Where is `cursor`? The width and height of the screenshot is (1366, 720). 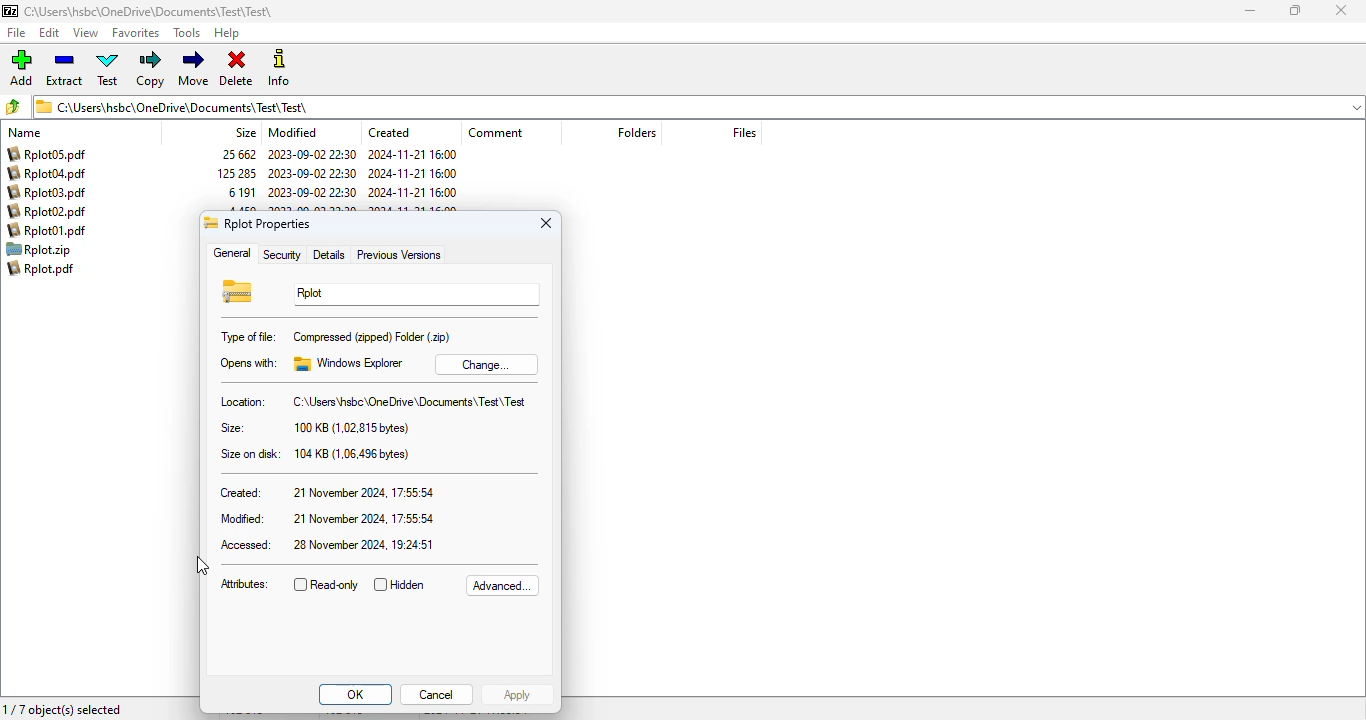
cursor is located at coordinates (203, 566).